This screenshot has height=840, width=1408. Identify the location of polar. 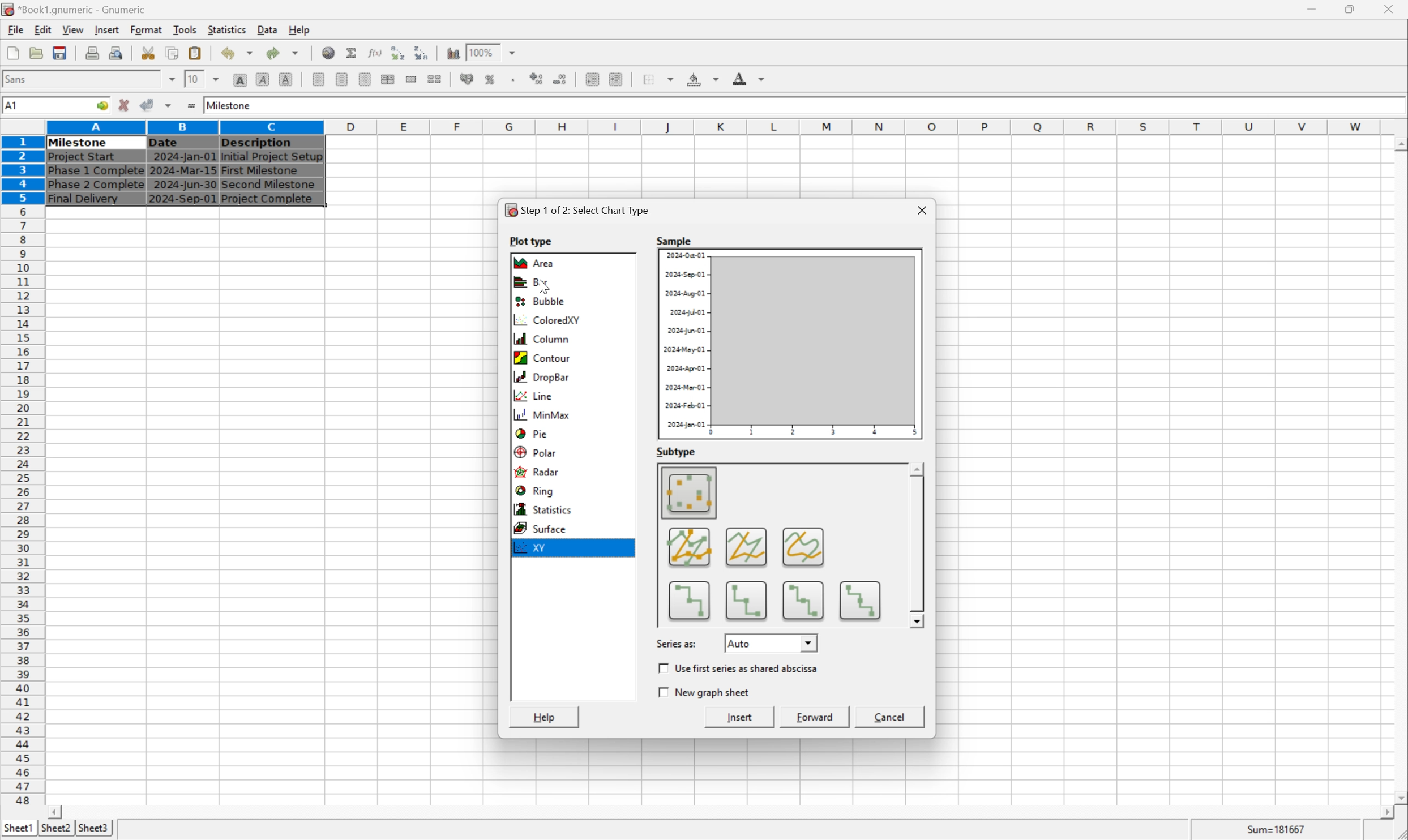
(537, 451).